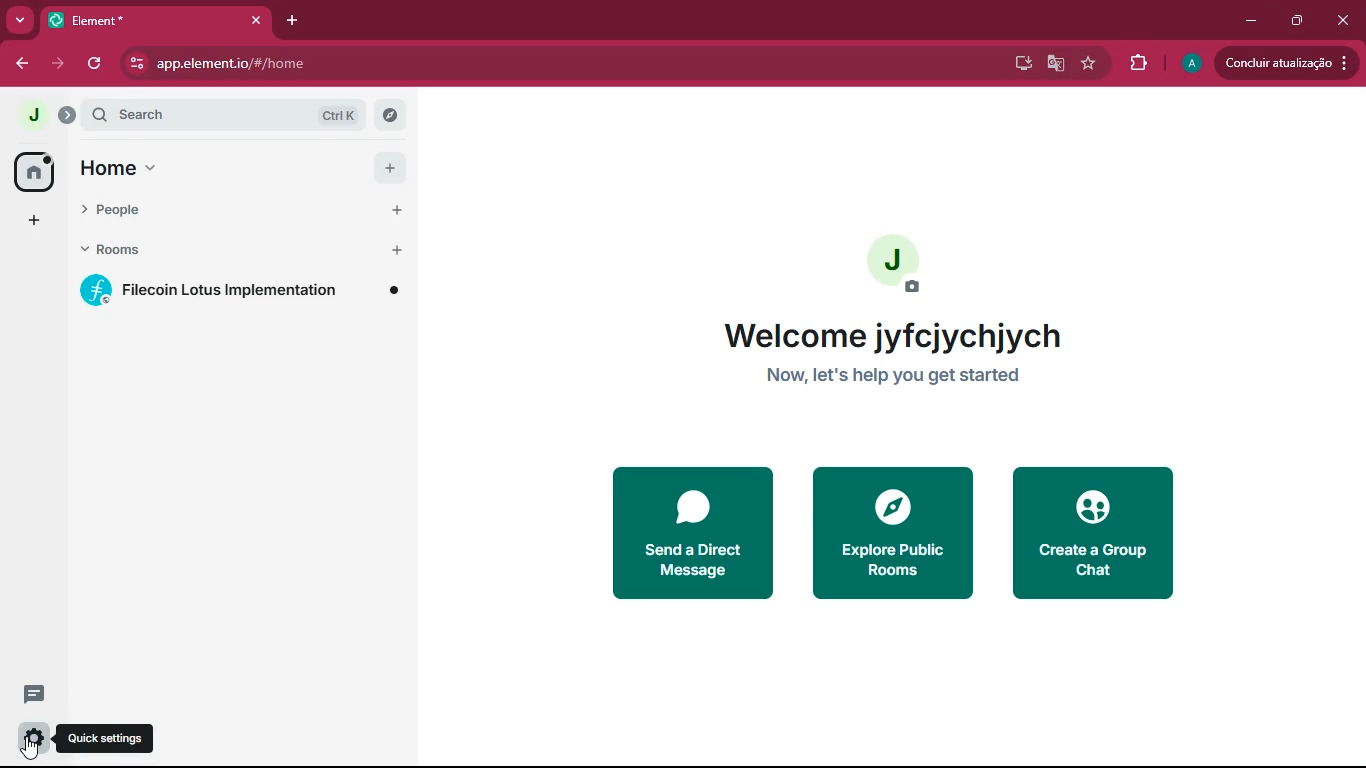 This screenshot has width=1366, height=768. I want to click on app.element.io/#/home, so click(289, 63).